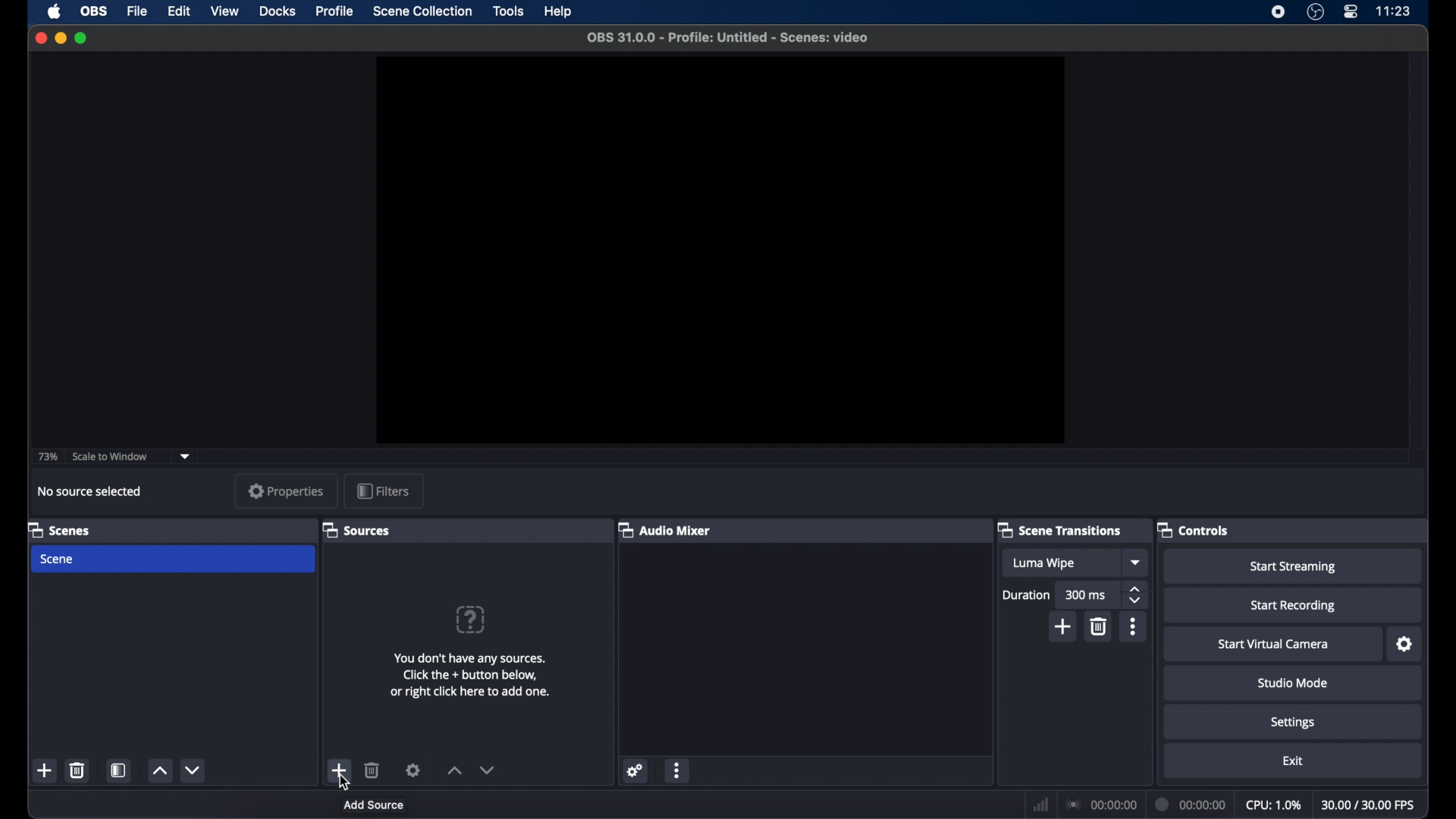 This screenshot has width=1456, height=819. I want to click on add, so click(44, 770).